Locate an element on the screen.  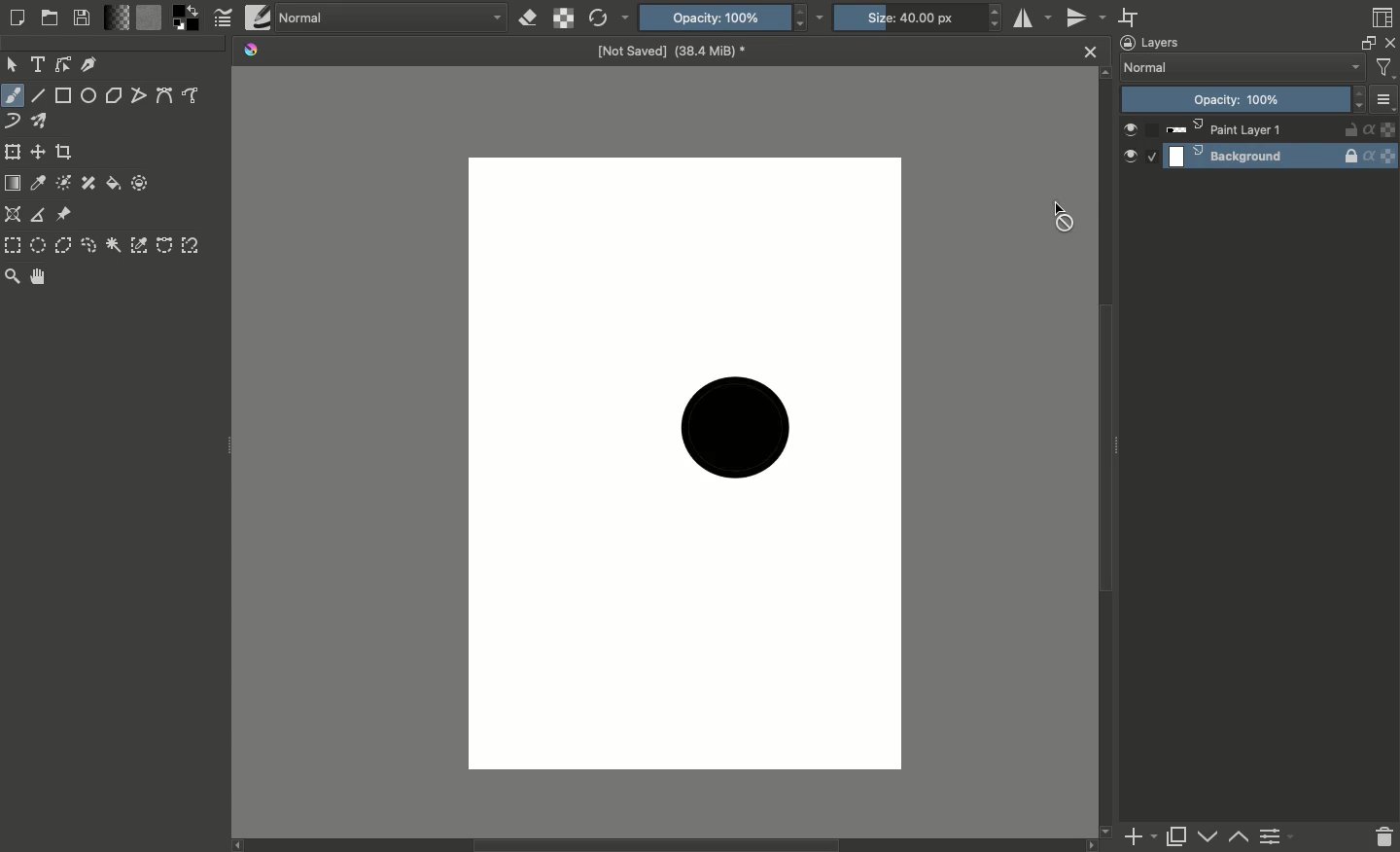
Scroll is located at coordinates (665, 847).